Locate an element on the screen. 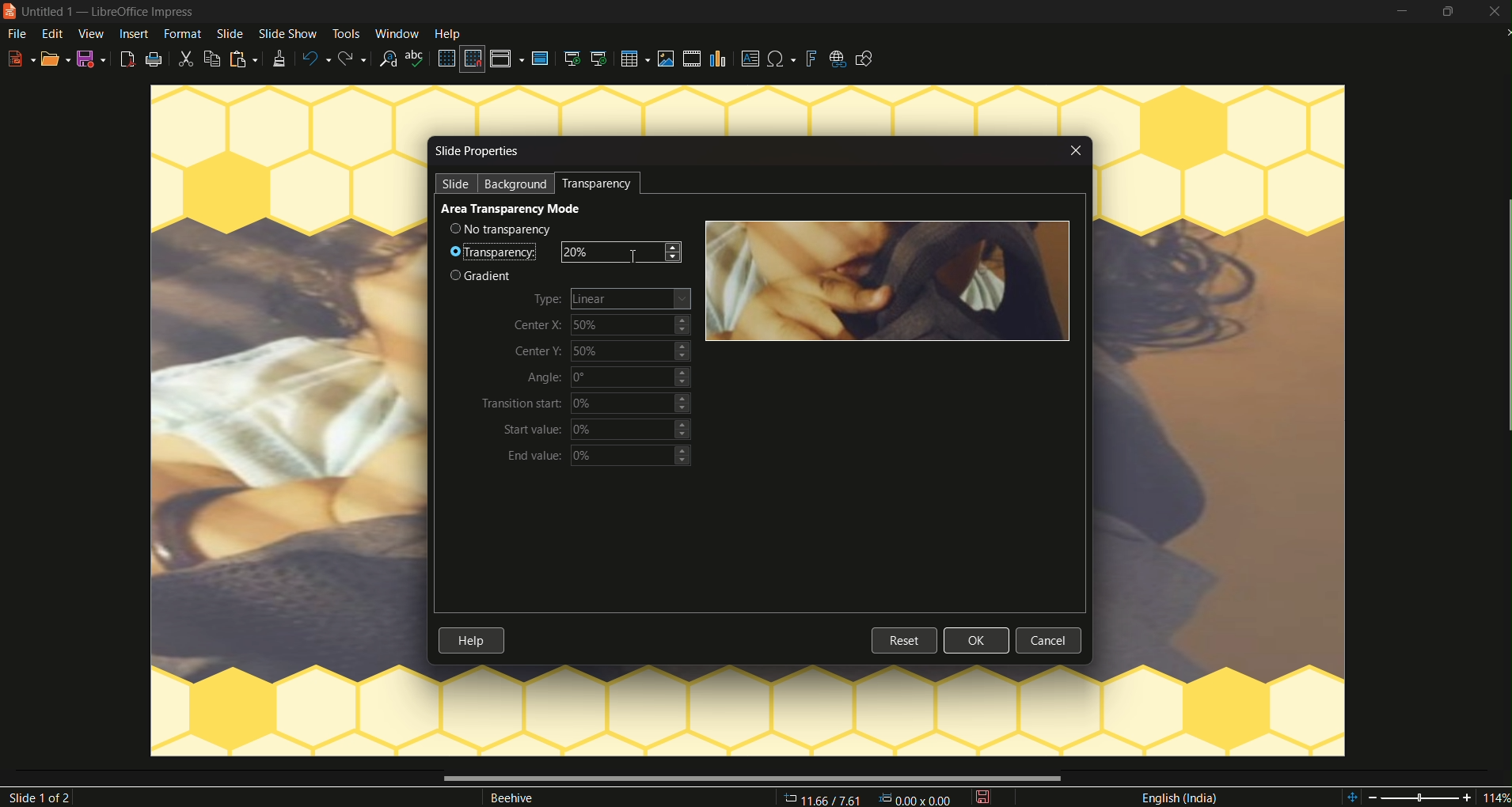 Image resolution: width=1512 pixels, height=807 pixels. find and replace is located at coordinates (389, 59).